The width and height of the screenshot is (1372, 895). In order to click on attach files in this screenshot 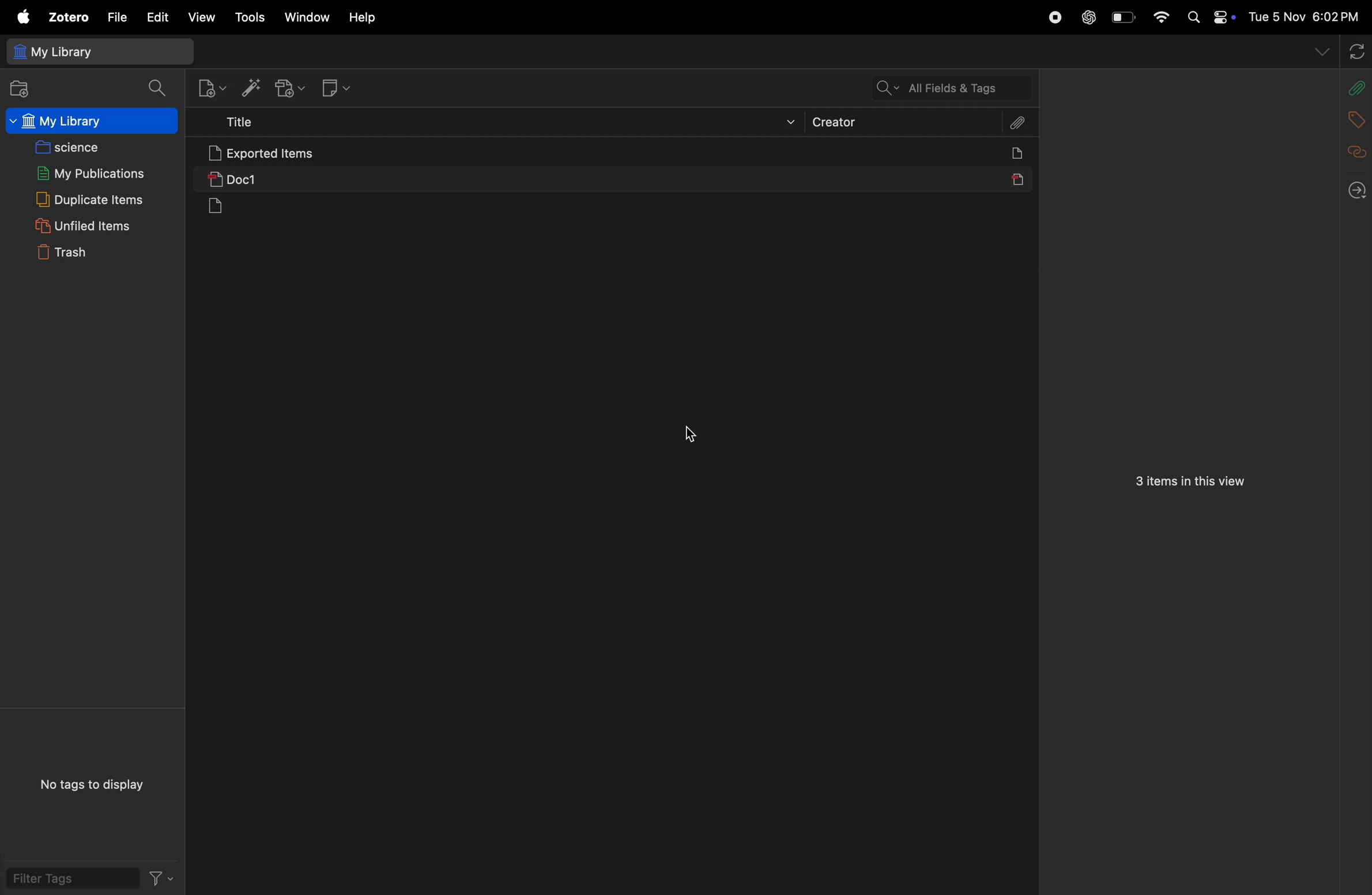, I will do `click(1354, 88)`.